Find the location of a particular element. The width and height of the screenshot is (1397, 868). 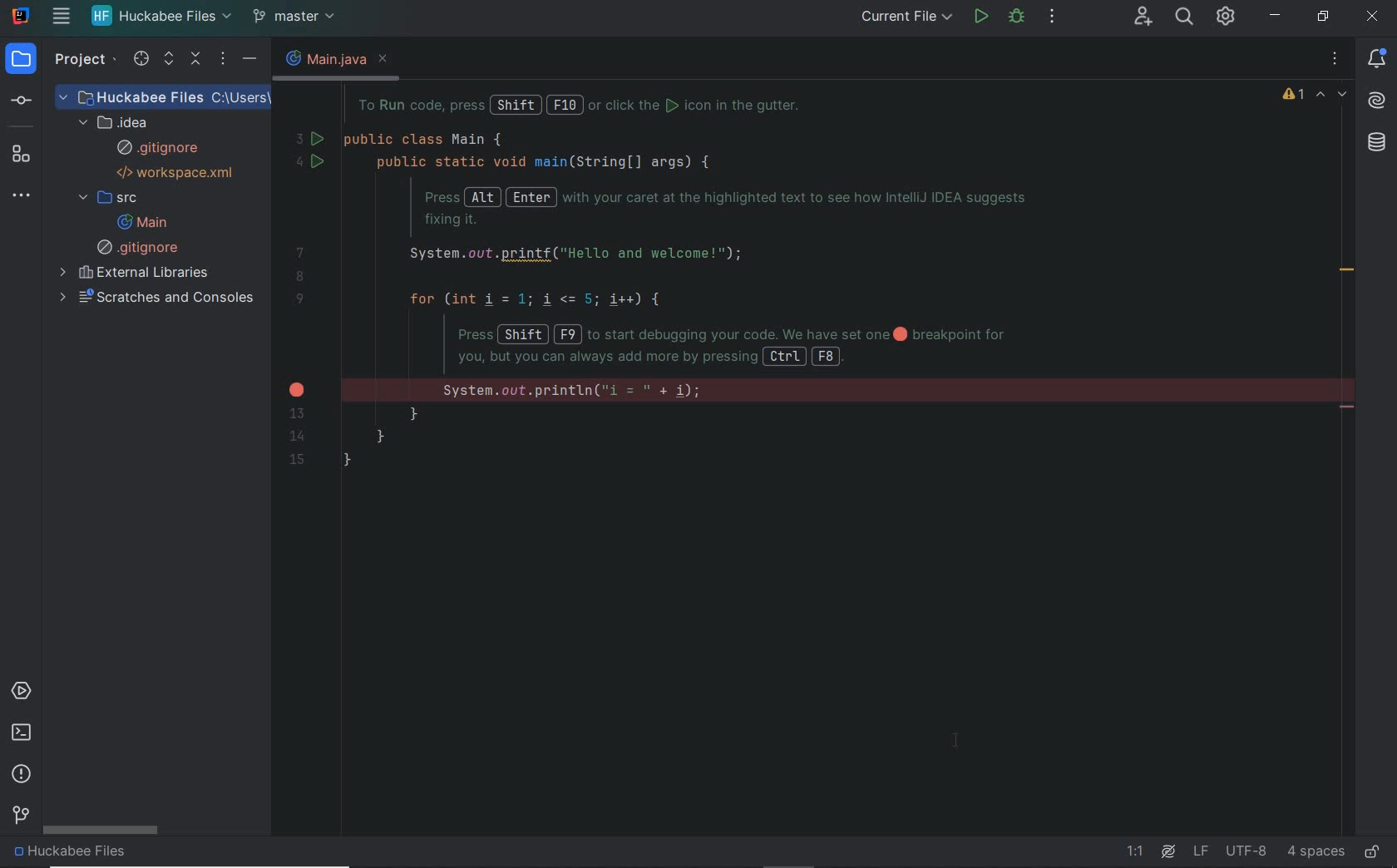

external libraries is located at coordinates (137, 274).